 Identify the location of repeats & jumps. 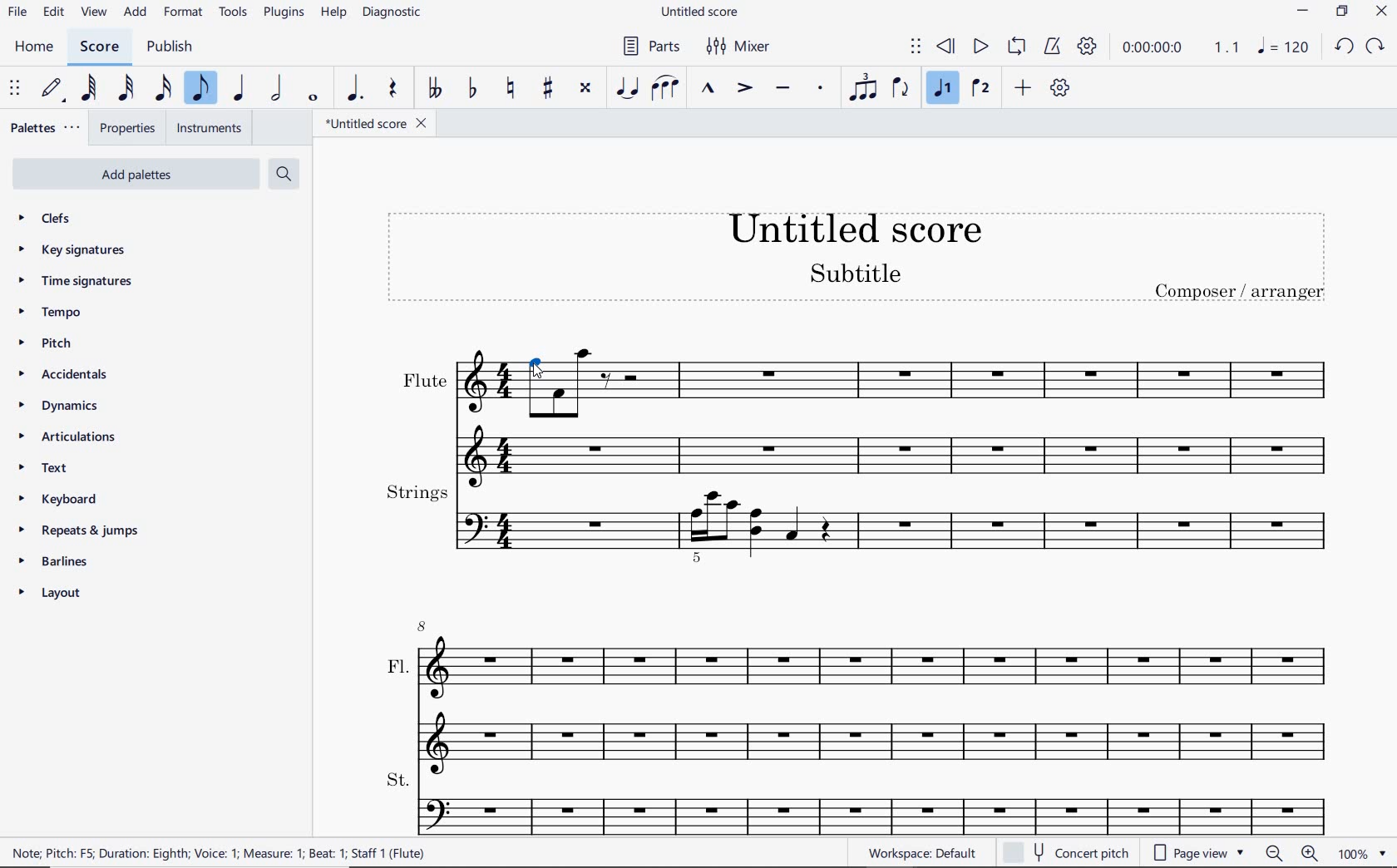
(76, 530).